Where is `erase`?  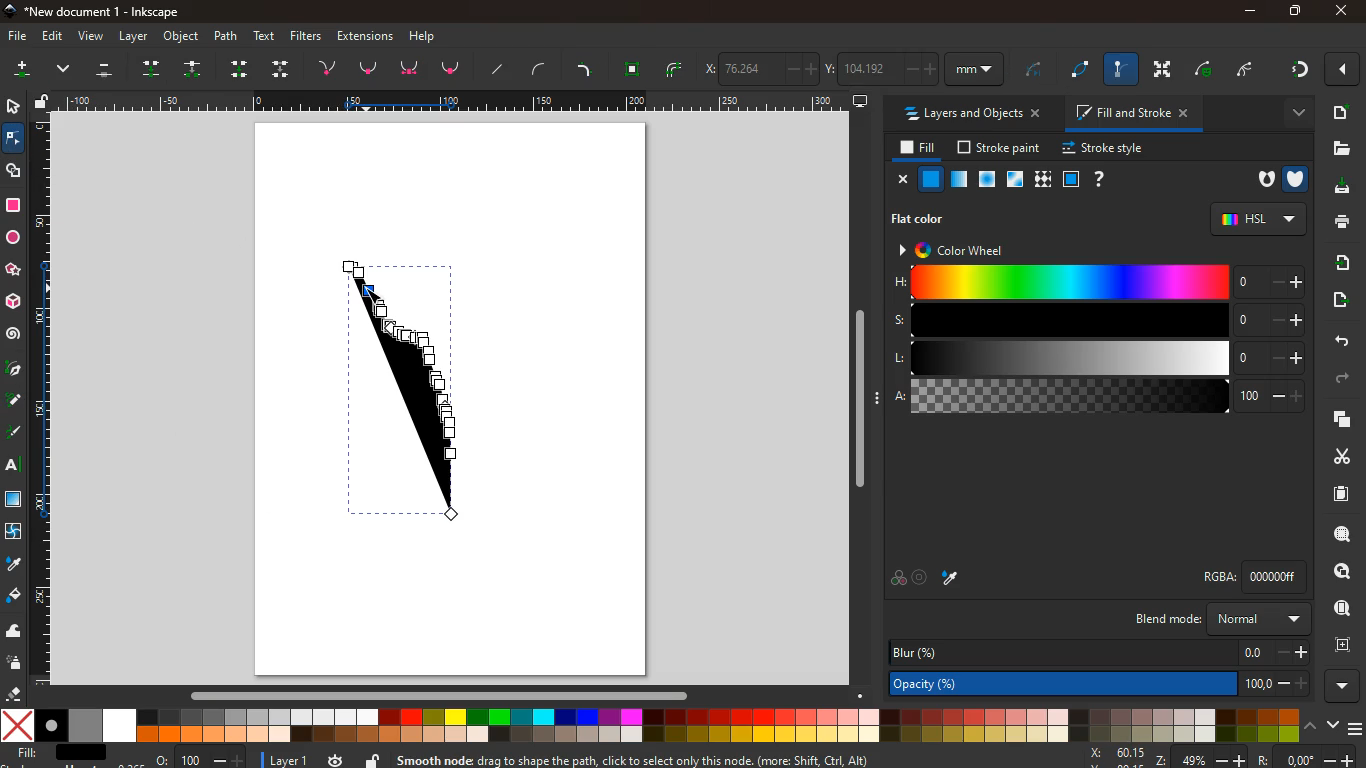 erase is located at coordinates (14, 694).